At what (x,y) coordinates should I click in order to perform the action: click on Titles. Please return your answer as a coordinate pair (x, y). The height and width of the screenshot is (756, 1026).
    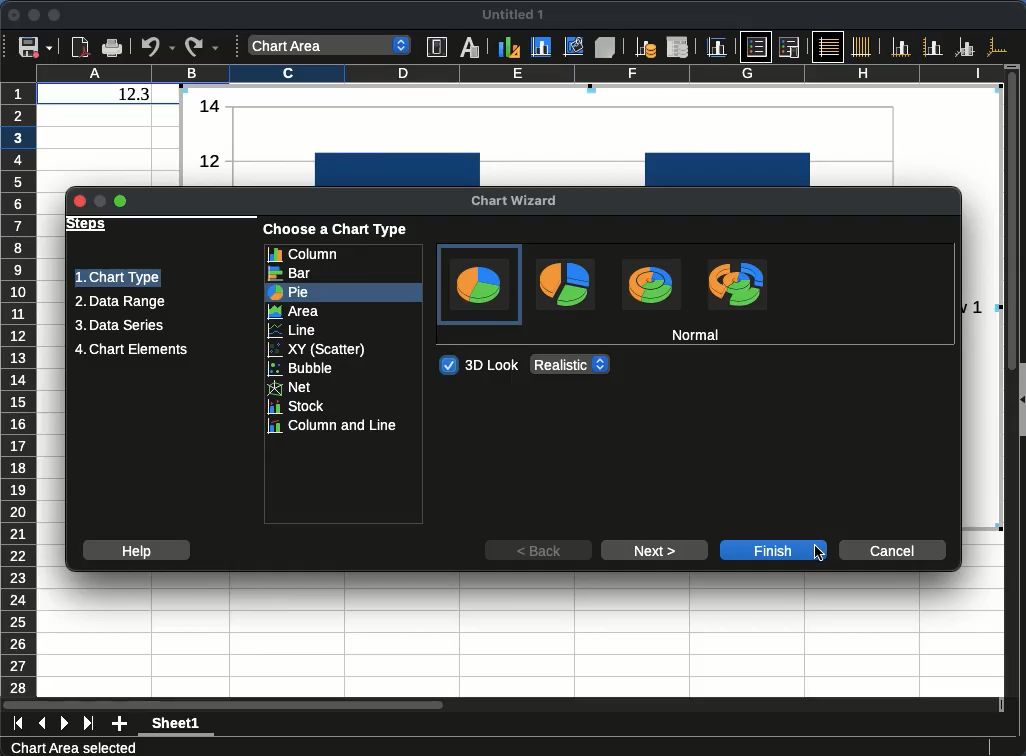
    Looking at the image, I should click on (716, 47).